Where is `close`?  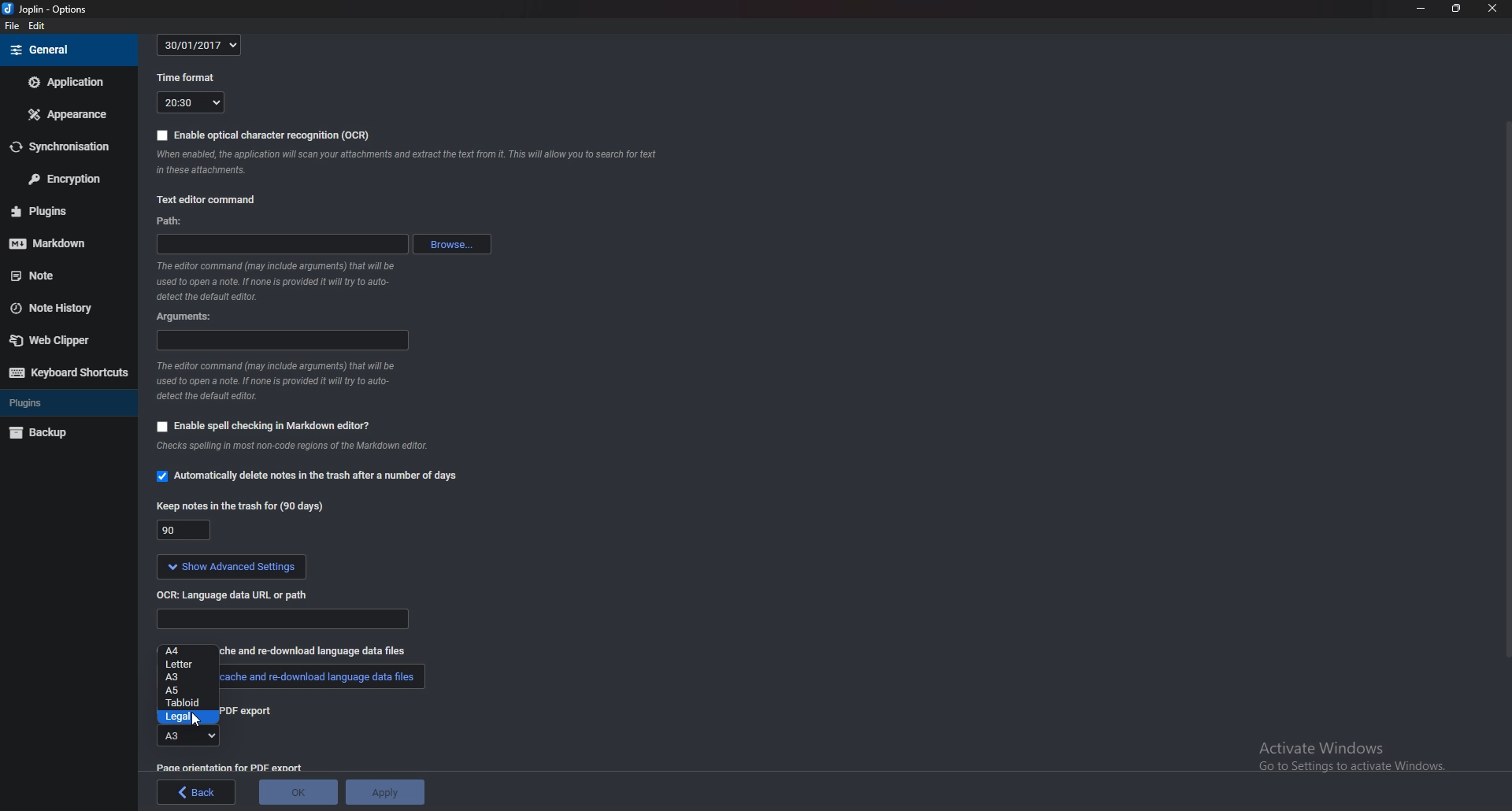 close is located at coordinates (1490, 7).